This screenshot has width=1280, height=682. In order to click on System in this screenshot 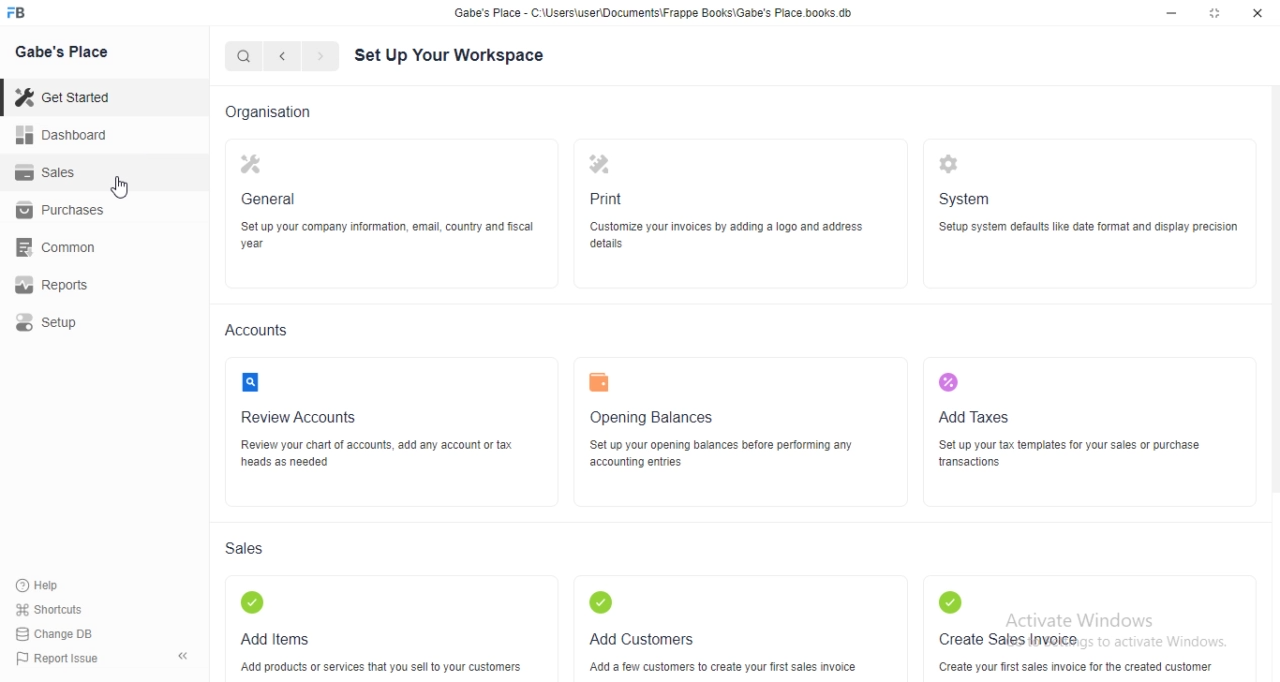, I will do `click(968, 176)`.